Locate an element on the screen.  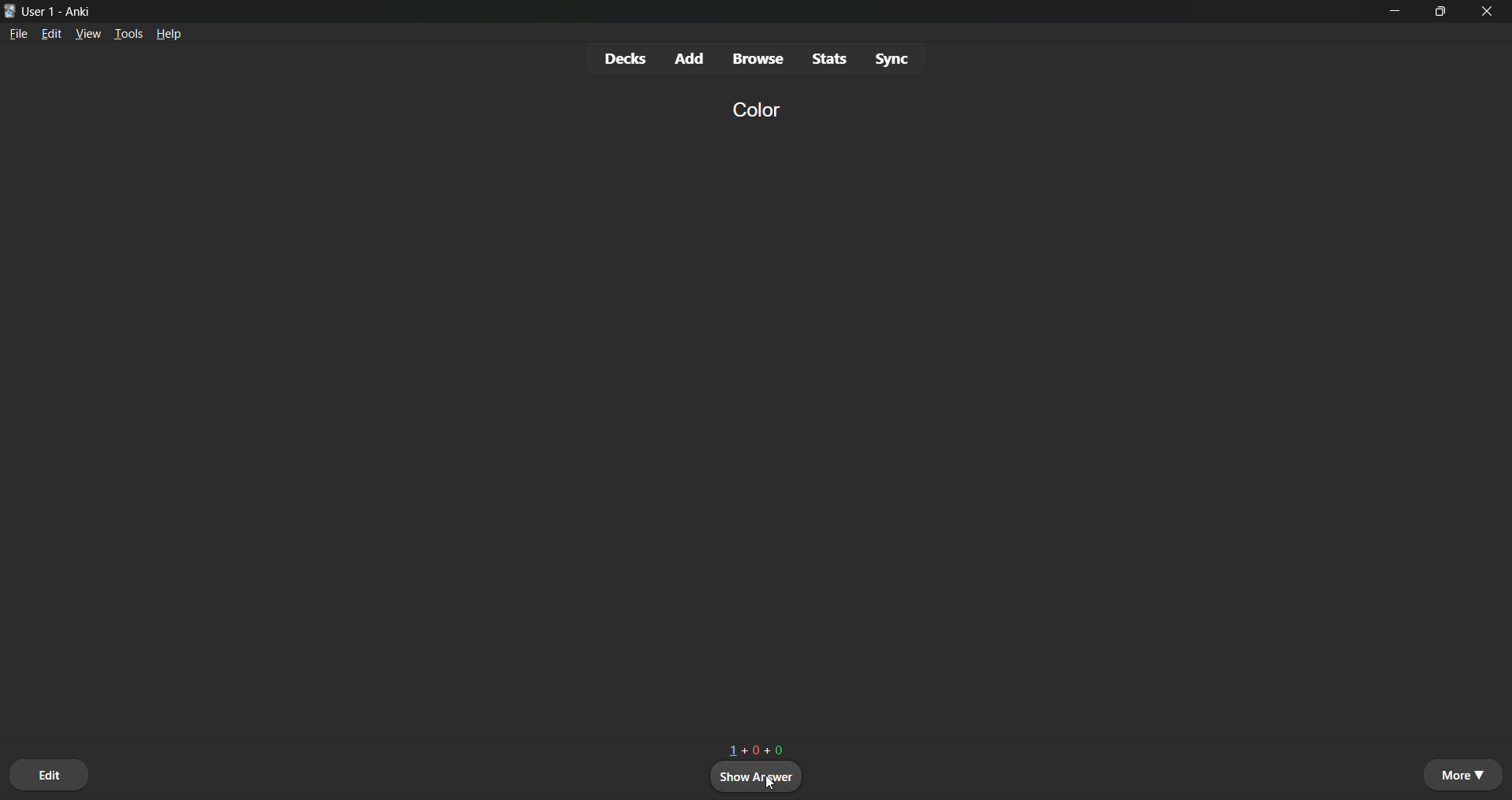
1+0+0 is located at coordinates (758, 745).